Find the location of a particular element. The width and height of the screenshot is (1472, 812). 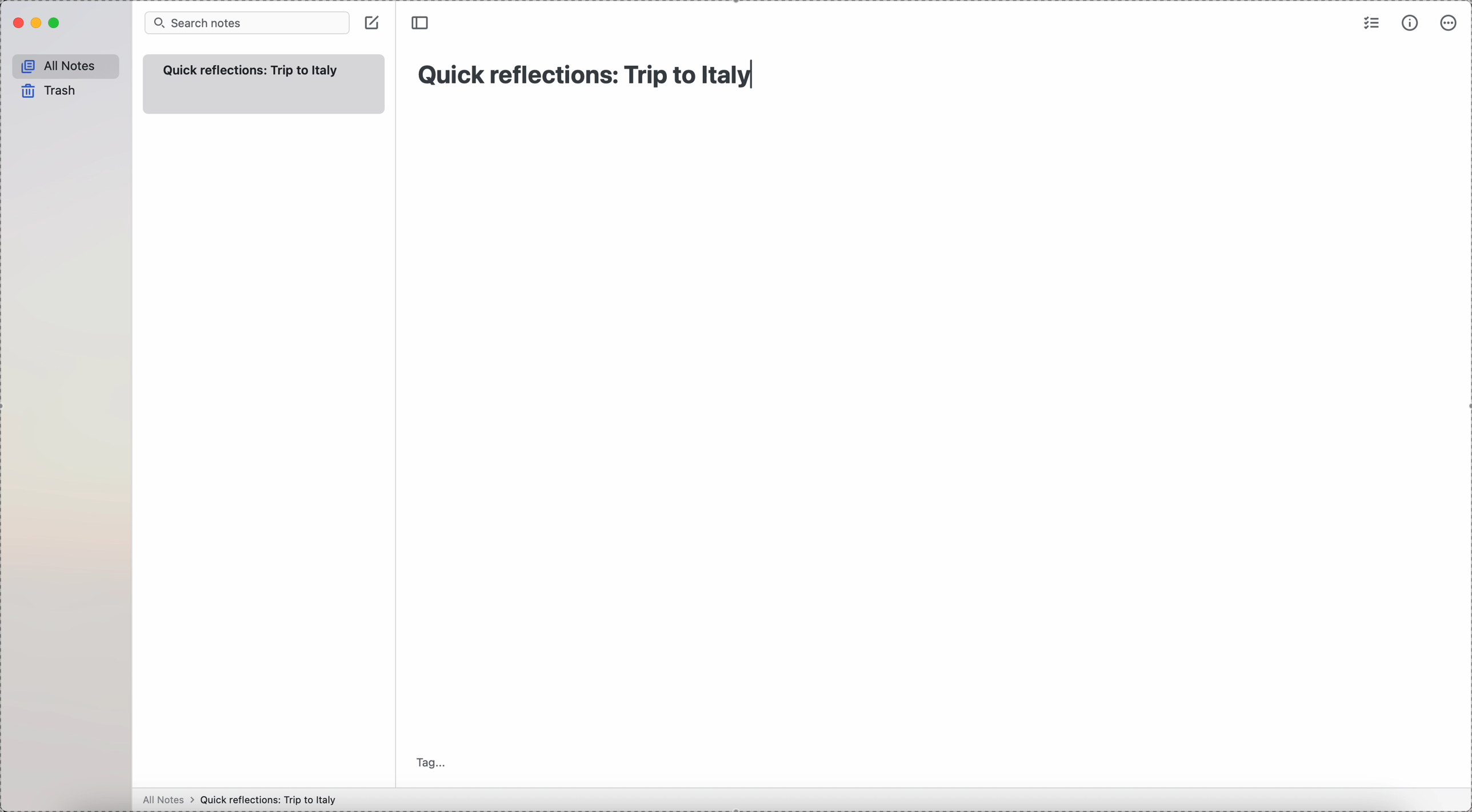

Quick reflections: Trip to Italy is located at coordinates (271, 799).